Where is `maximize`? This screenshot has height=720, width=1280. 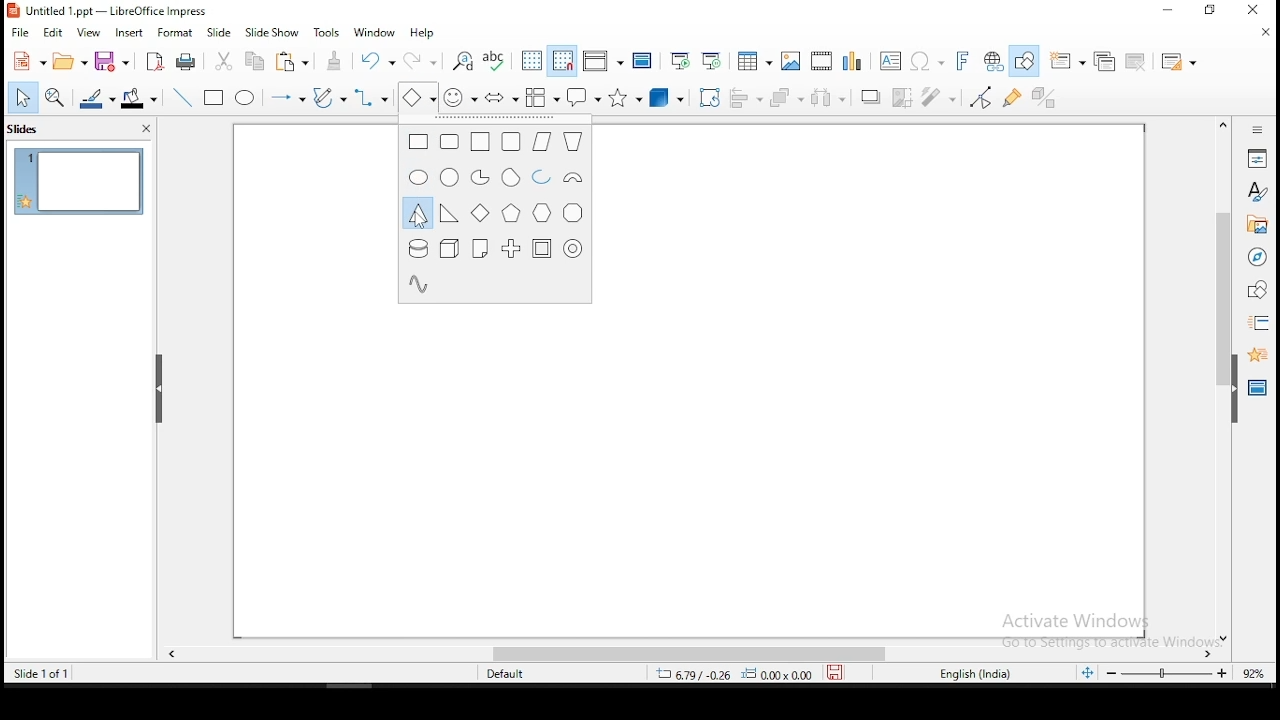
maximize is located at coordinates (1213, 11).